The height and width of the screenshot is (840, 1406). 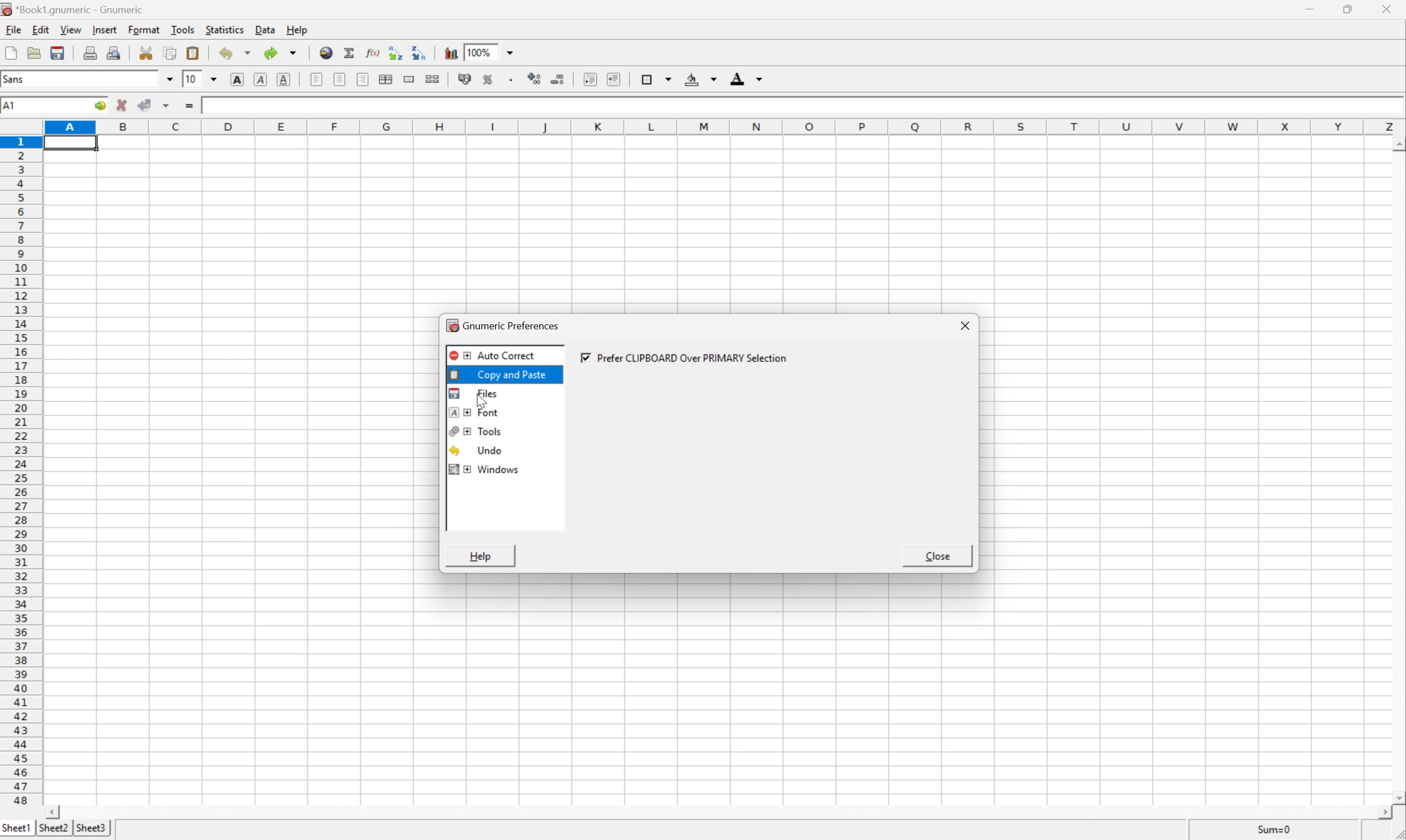 I want to click on new, so click(x=11, y=53).